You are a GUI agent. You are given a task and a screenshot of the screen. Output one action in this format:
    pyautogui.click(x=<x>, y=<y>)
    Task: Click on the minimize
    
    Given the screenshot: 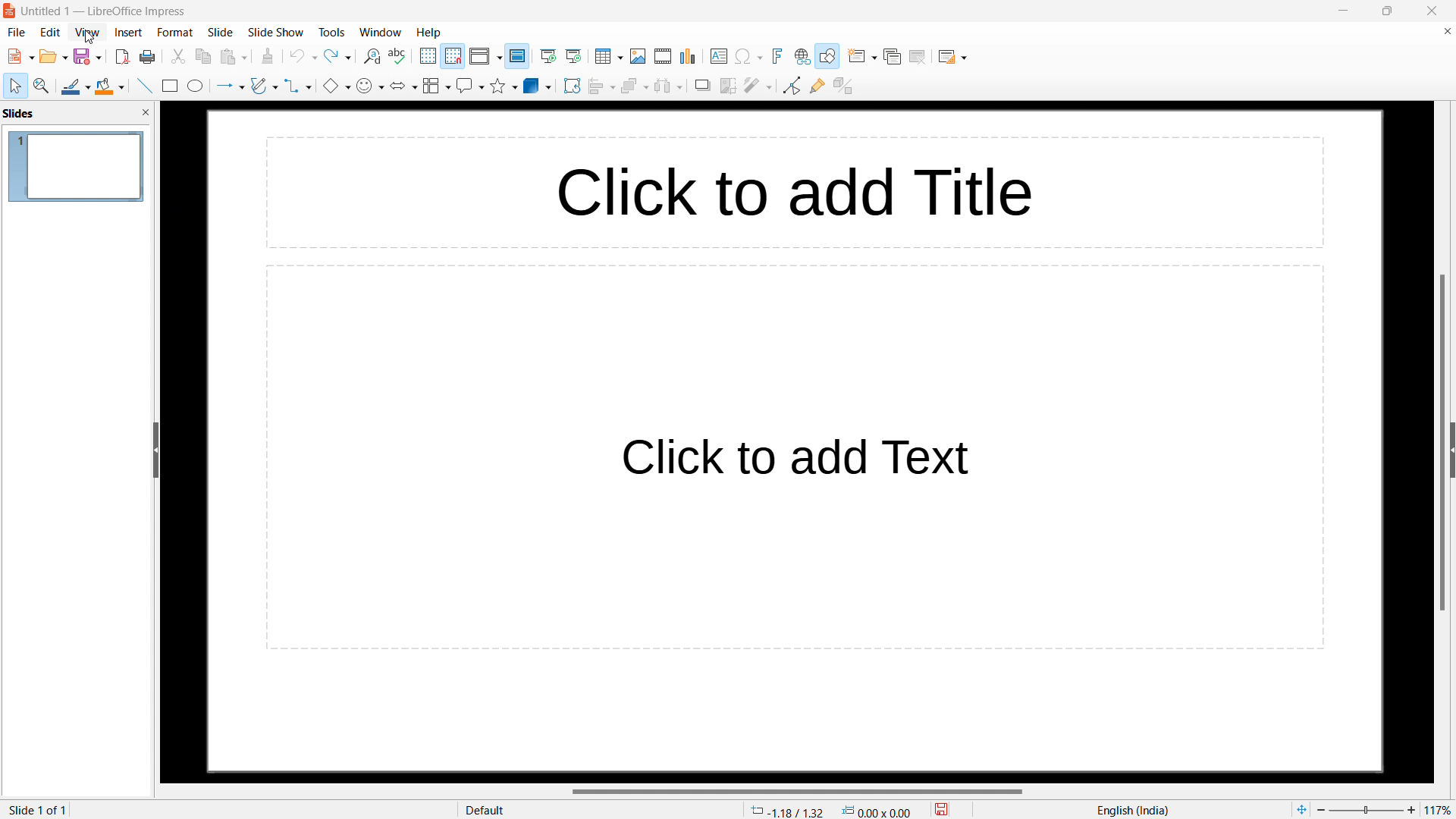 What is the action you would take?
    pyautogui.click(x=1344, y=11)
    